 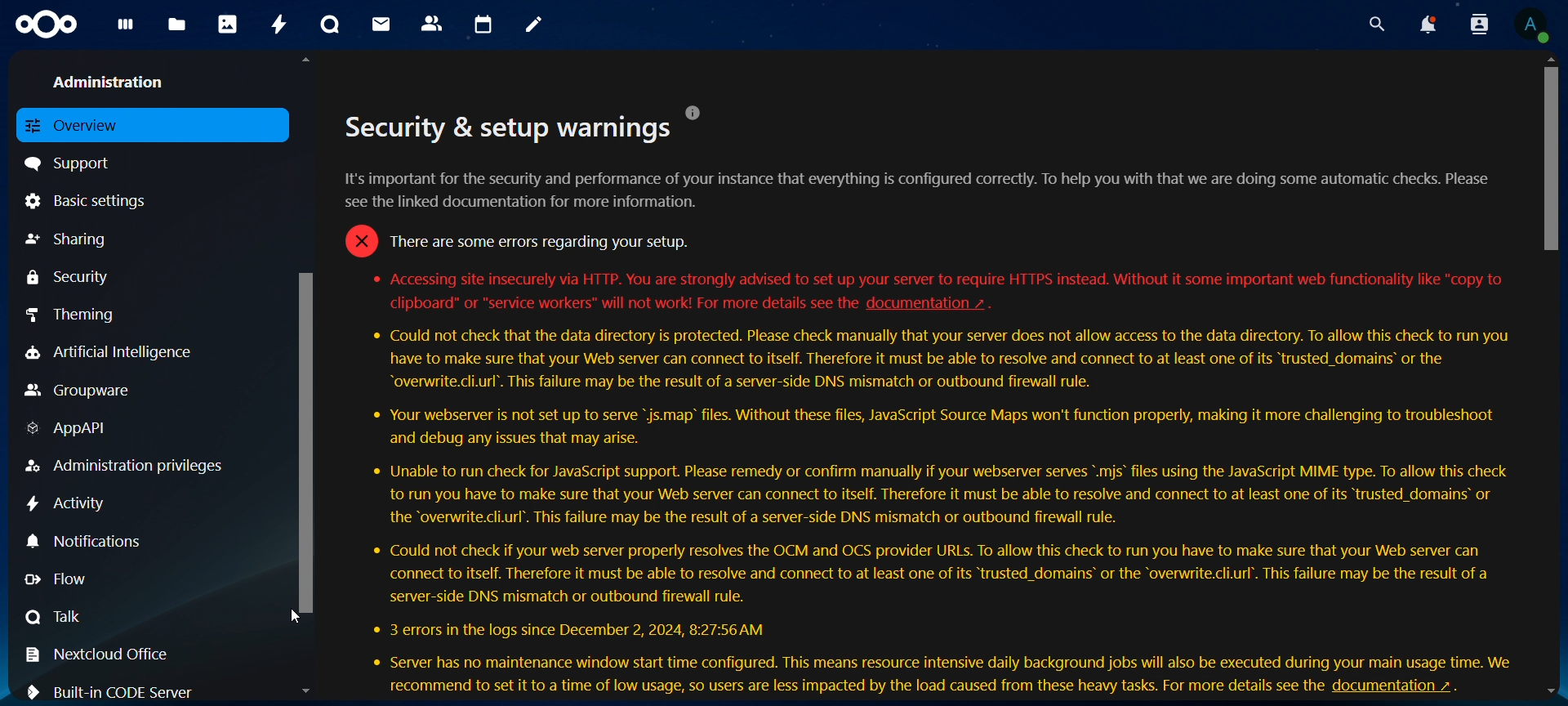 What do you see at coordinates (79, 391) in the screenshot?
I see `groupware` at bounding box center [79, 391].